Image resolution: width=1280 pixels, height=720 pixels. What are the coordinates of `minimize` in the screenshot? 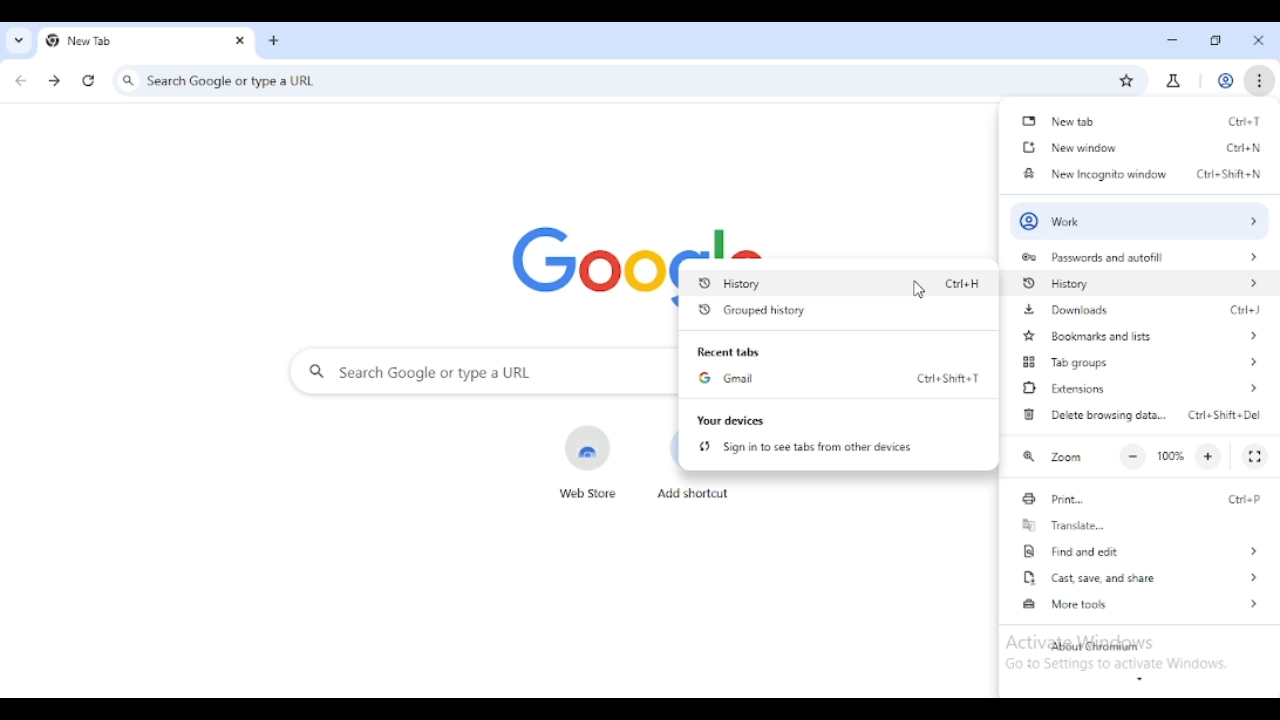 It's located at (1173, 41).